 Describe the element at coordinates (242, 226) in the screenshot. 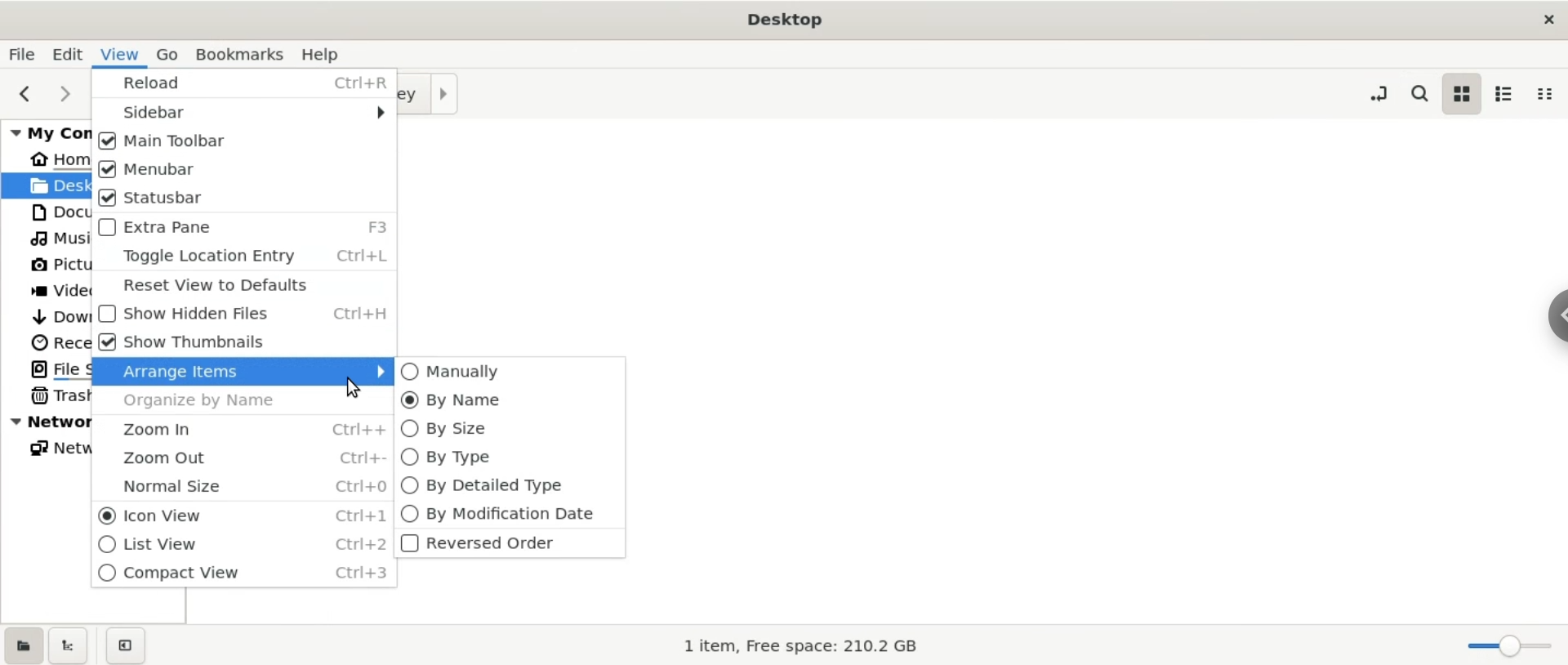

I see `extra page` at that location.